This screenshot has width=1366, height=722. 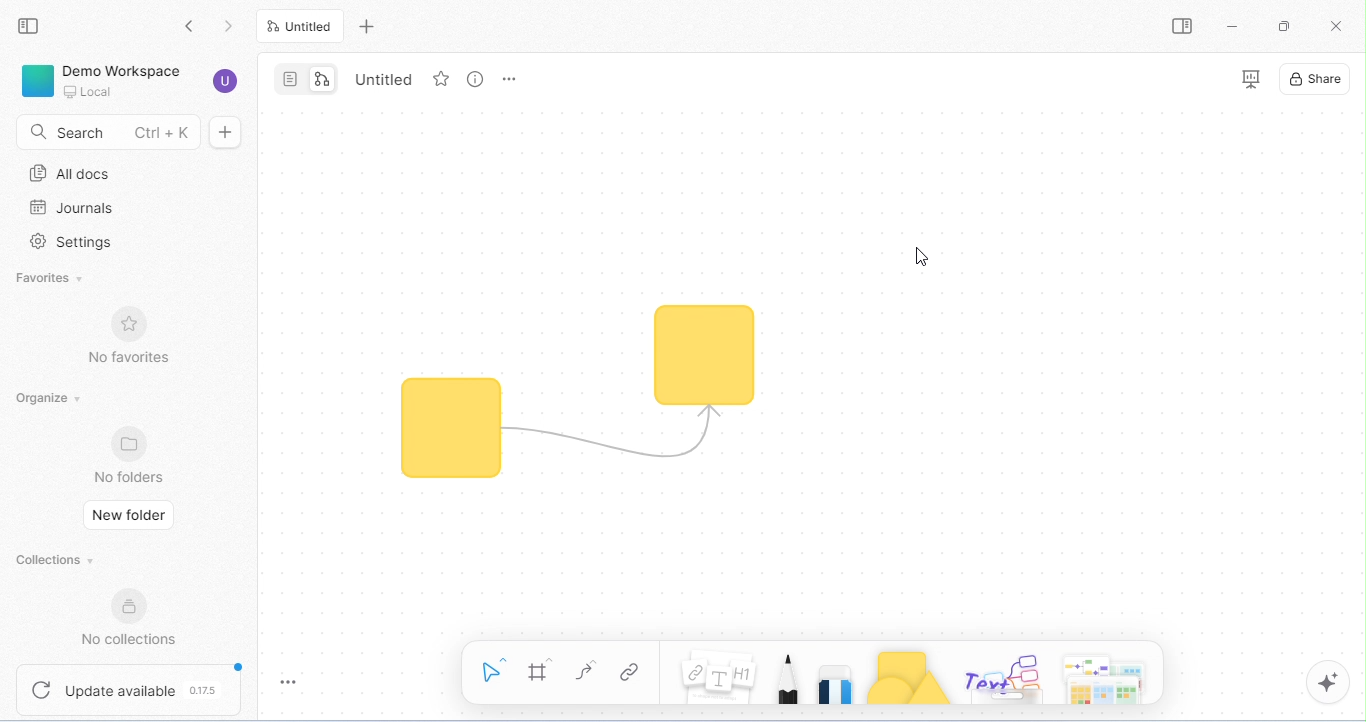 What do you see at coordinates (386, 80) in the screenshot?
I see `Untitled` at bounding box center [386, 80].